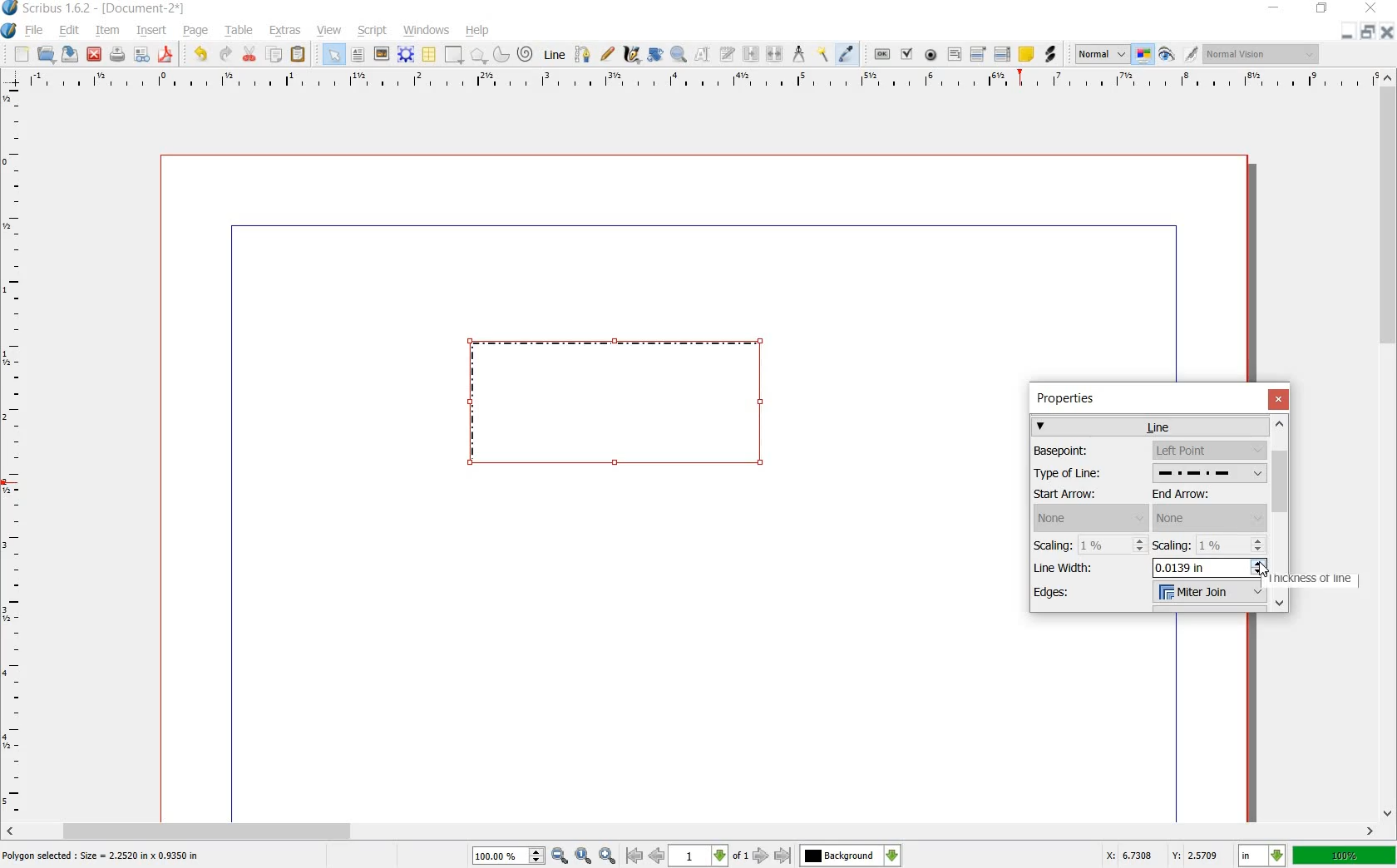  What do you see at coordinates (700, 81) in the screenshot?
I see `RULER` at bounding box center [700, 81].